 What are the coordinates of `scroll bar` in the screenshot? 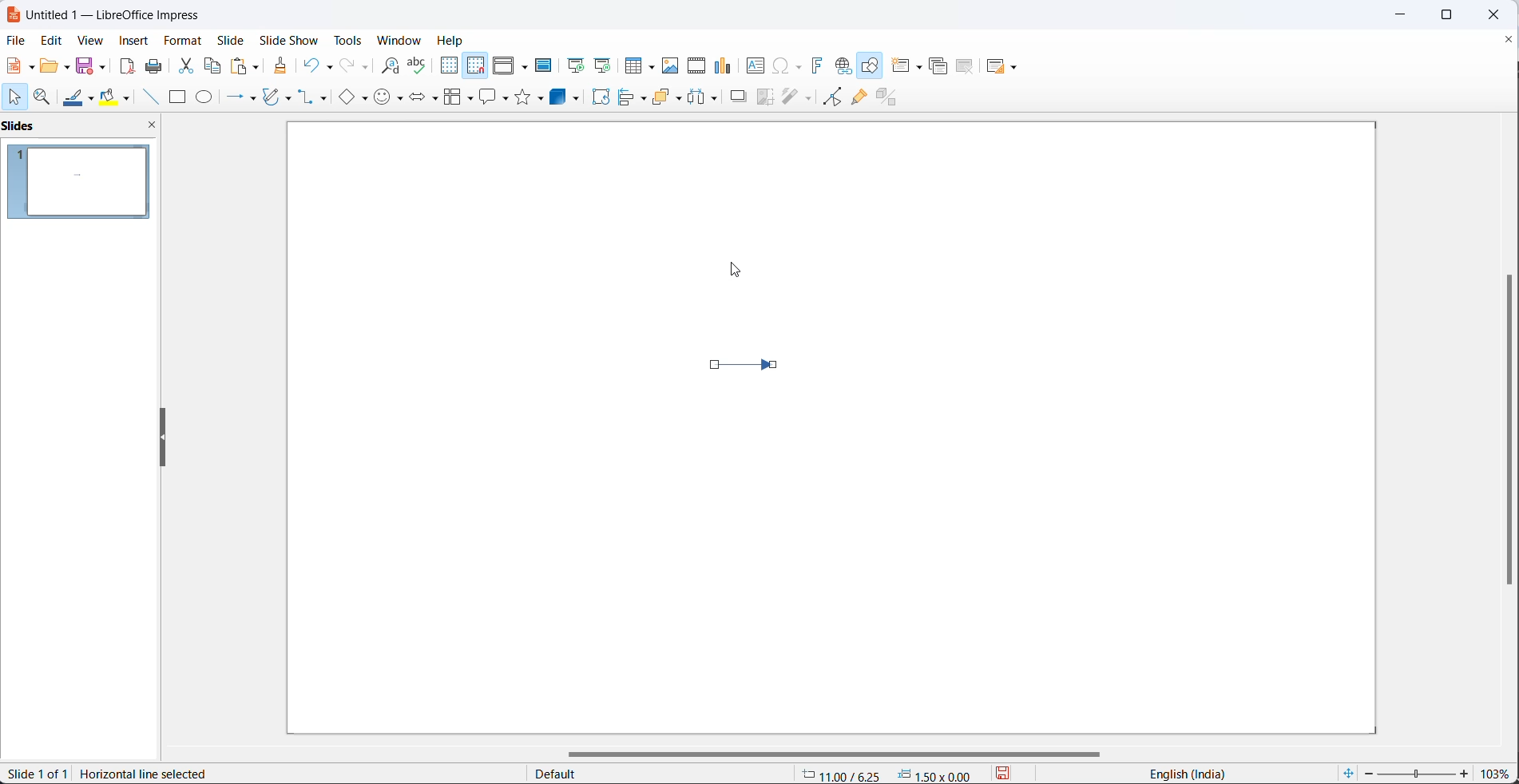 It's located at (1503, 430).